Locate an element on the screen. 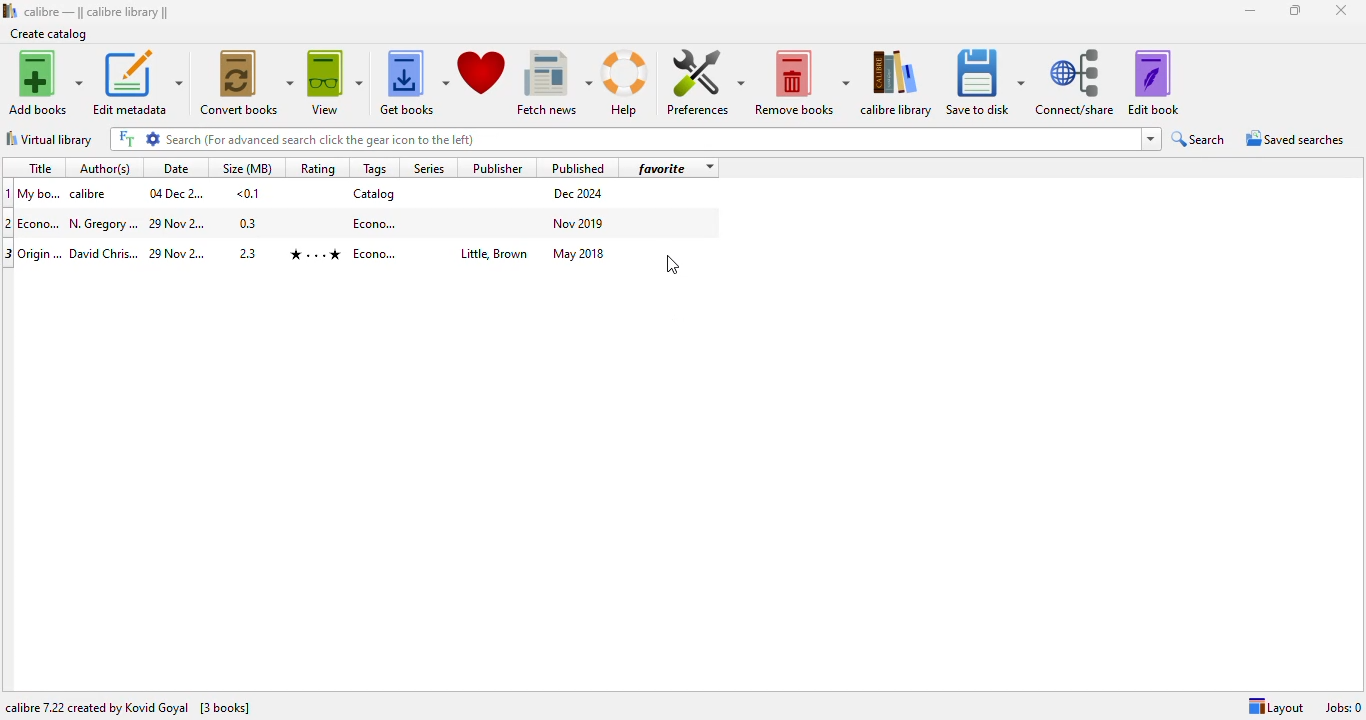  fetch news is located at coordinates (554, 83).